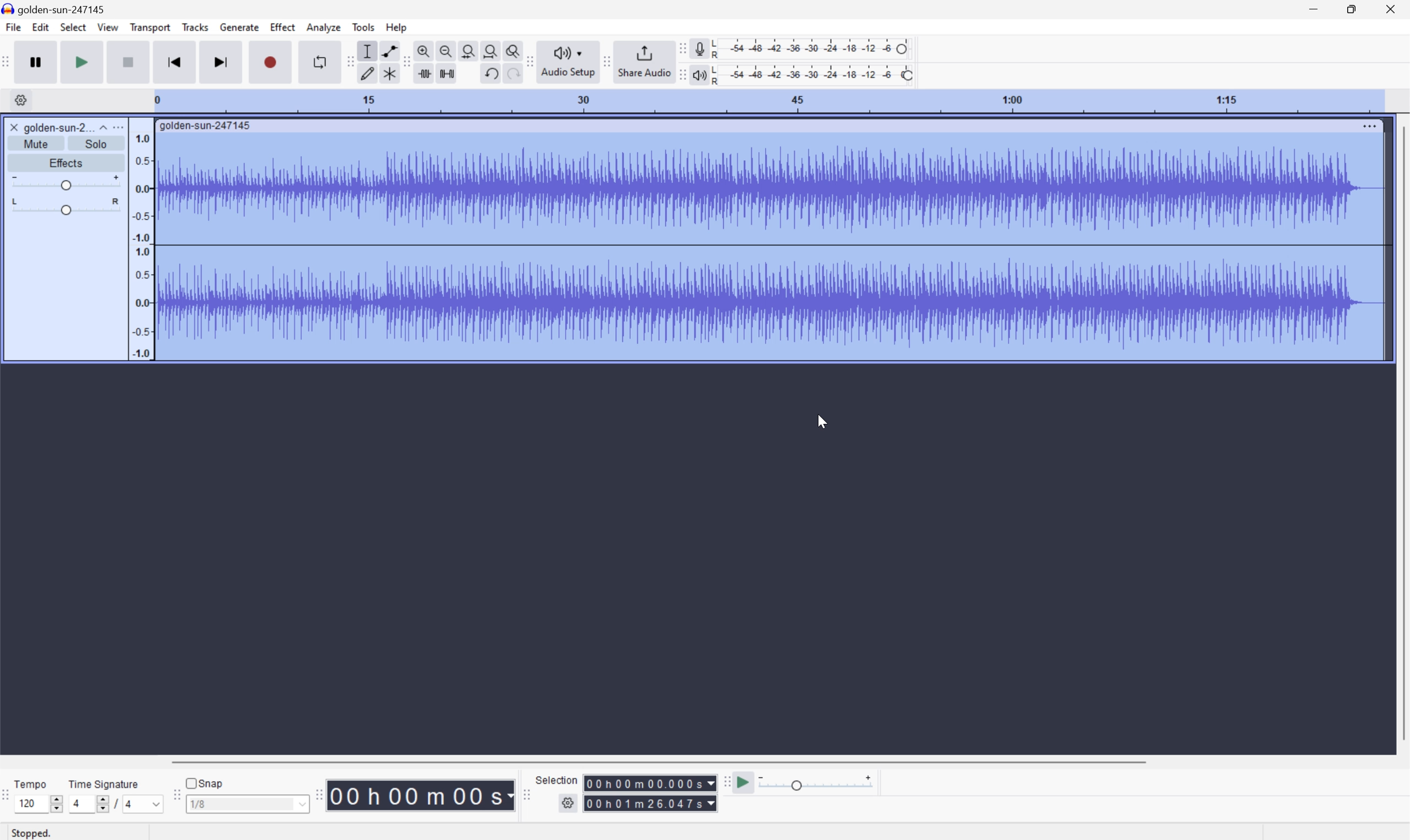  What do you see at coordinates (33, 804) in the screenshot?
I see `120` at bounding box center [33, 804].